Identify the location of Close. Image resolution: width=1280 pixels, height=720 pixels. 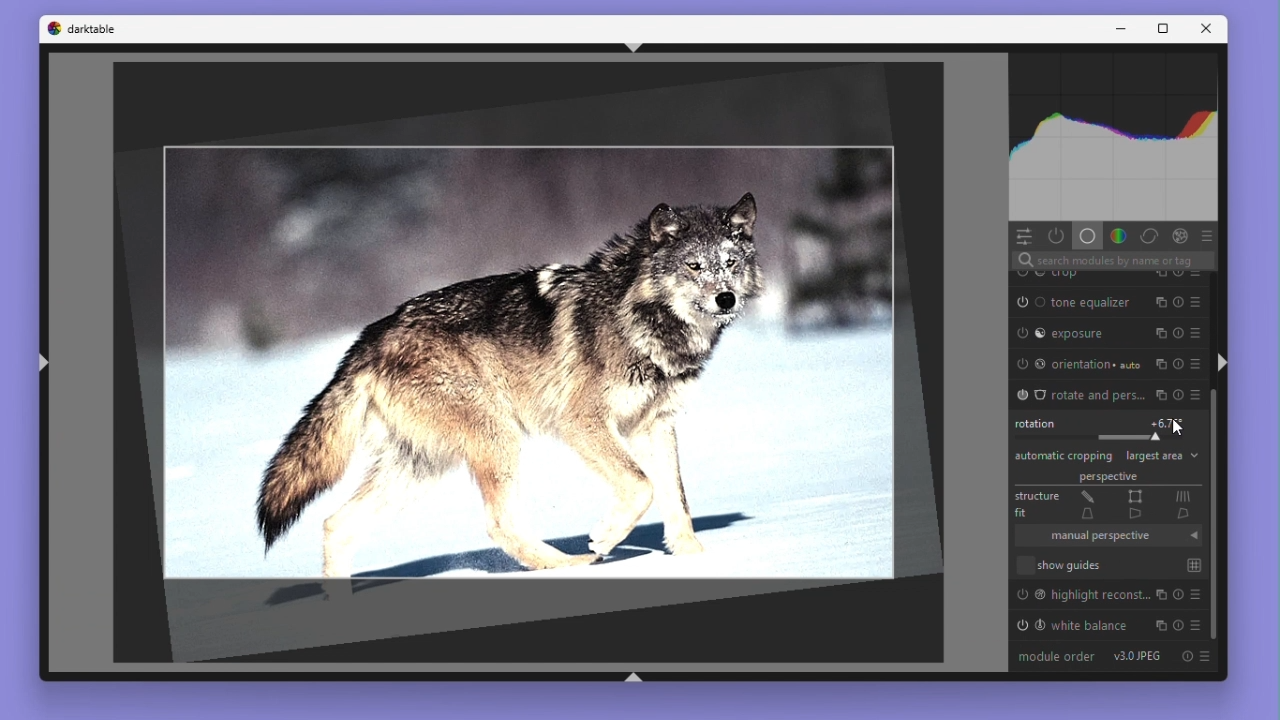
(1210, 29).